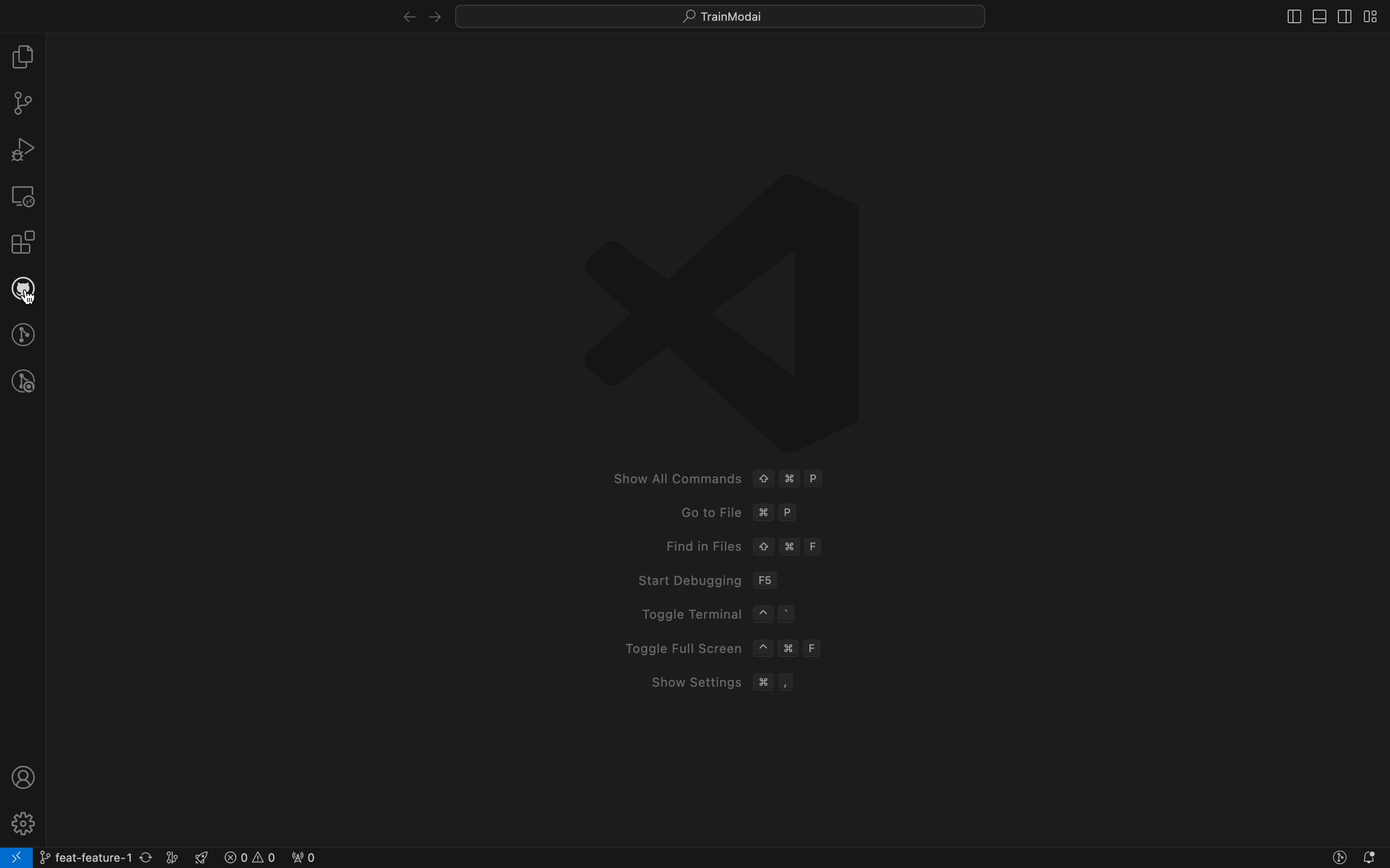 The image size is (1390, 868). What do you see at coordinates (22, 196) in the screenshot?
I see `remote explorer ` at bounding box center [22, 196].